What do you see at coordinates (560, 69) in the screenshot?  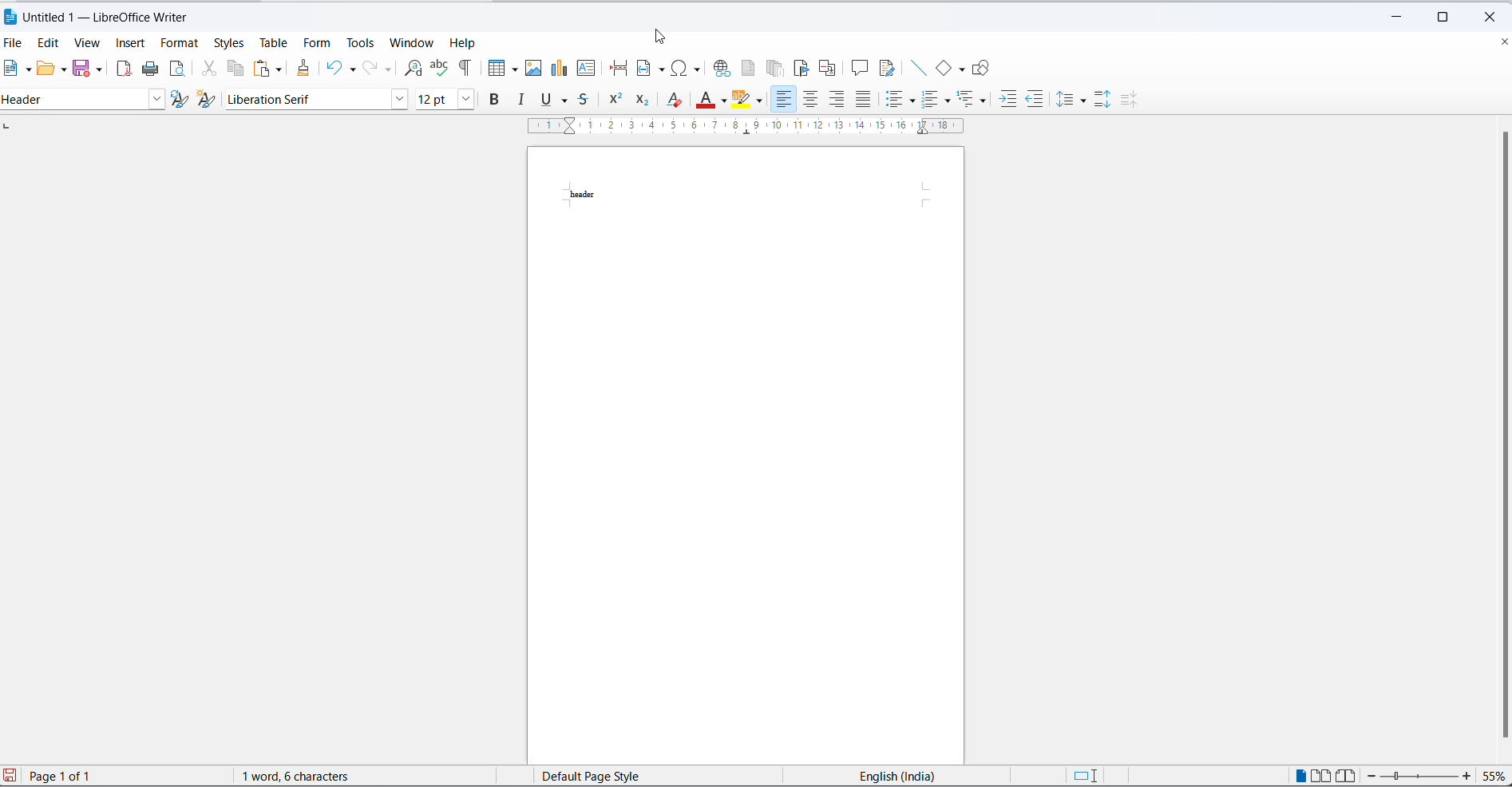 I see `insert chart` at bounding box center [560, 69].